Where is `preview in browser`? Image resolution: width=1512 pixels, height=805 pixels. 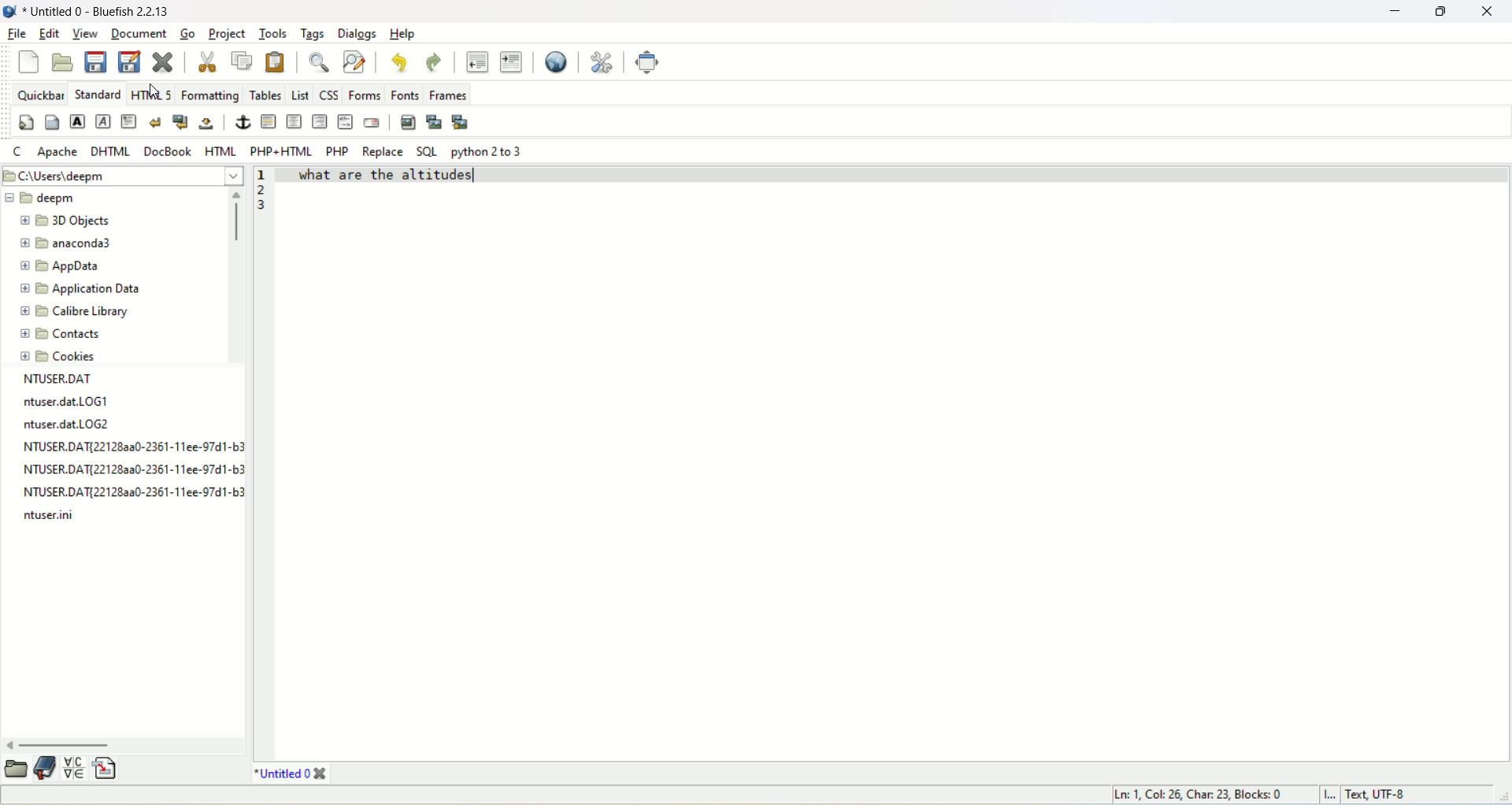
preview in browser is located at coordinates (556, 61).